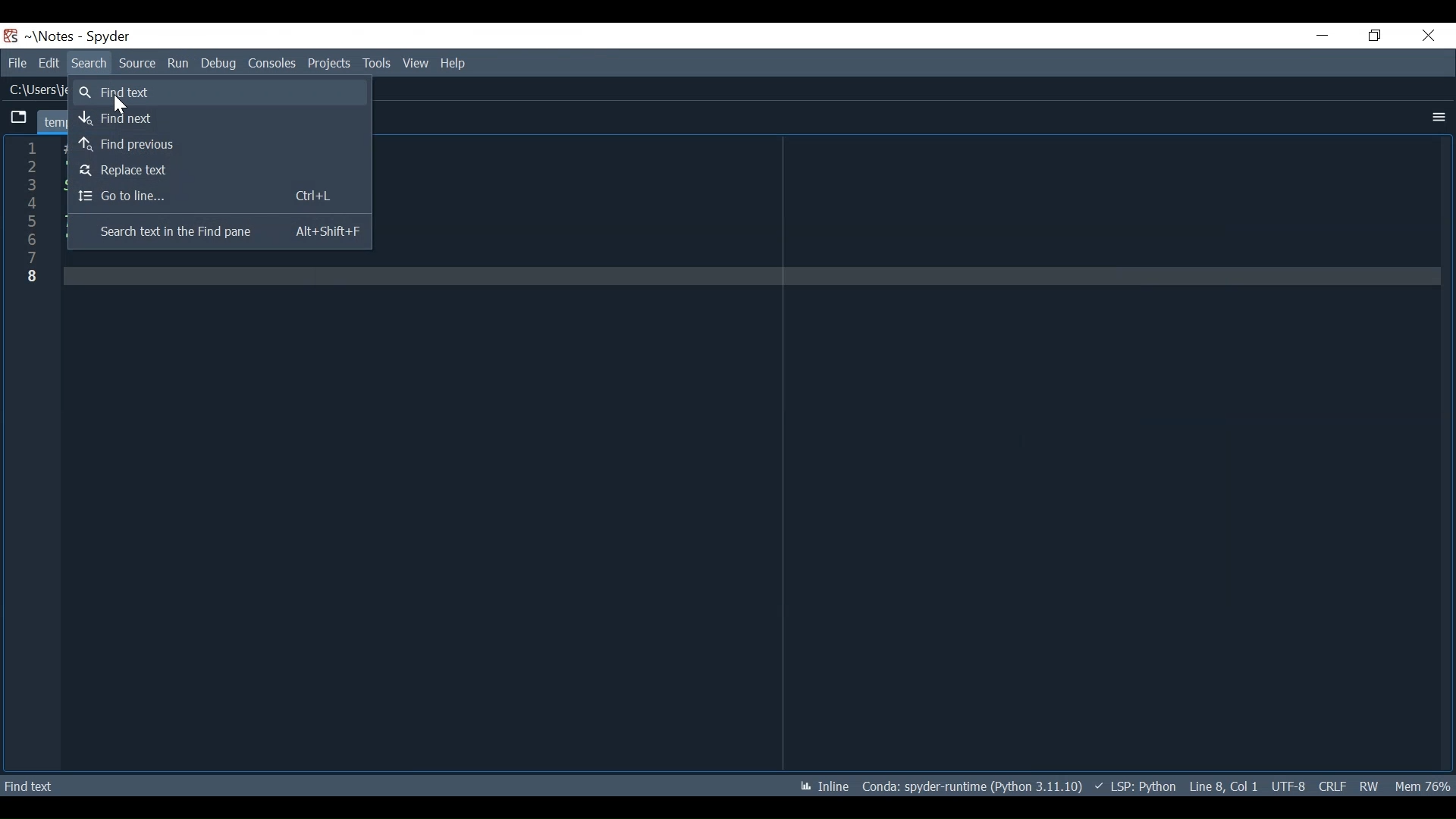  Describe the element at coordinates (221, 63) in the screenshot. I see `Debug` at that location.